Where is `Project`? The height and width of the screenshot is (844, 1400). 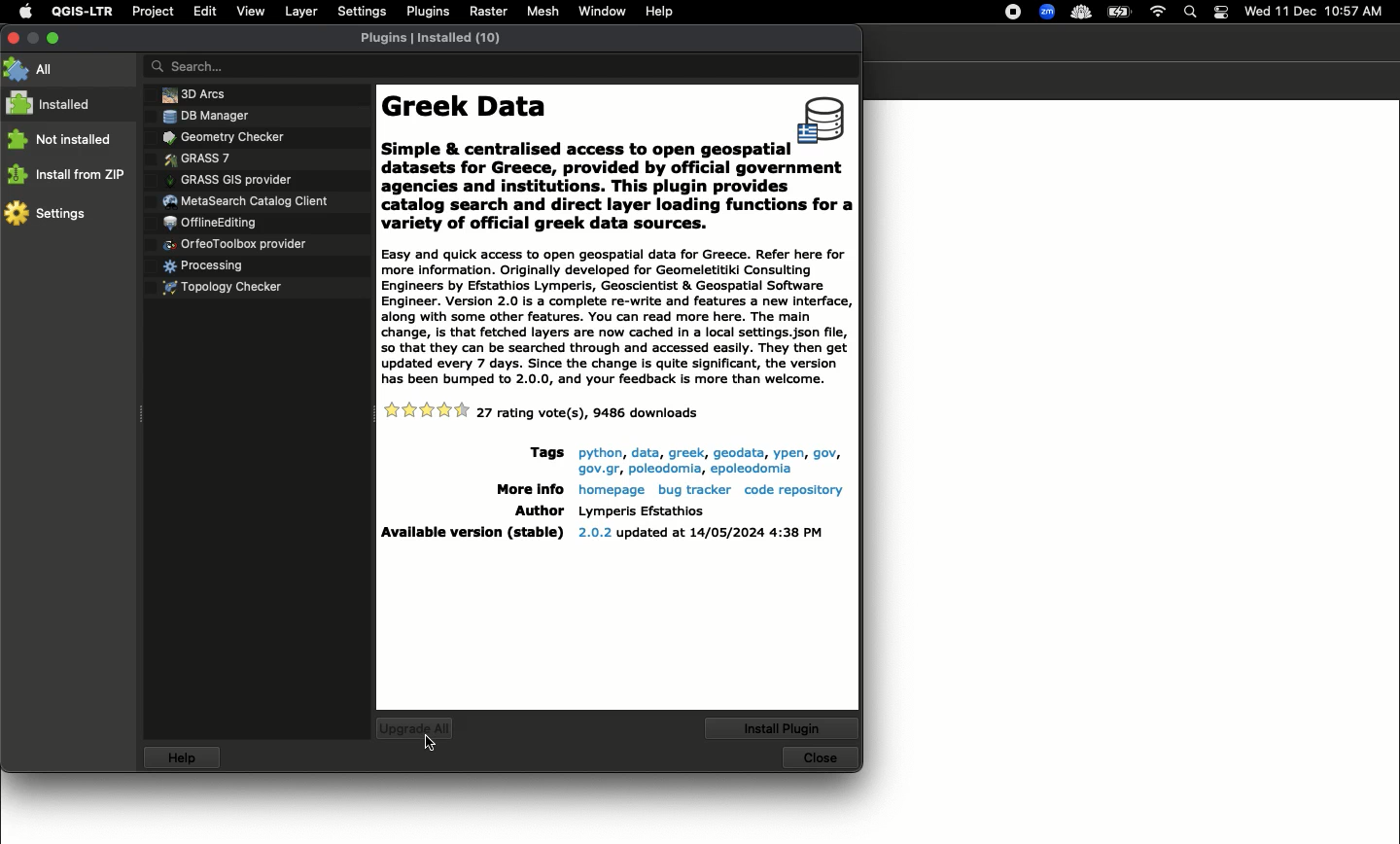
Project is located at coordinates (153, 12).